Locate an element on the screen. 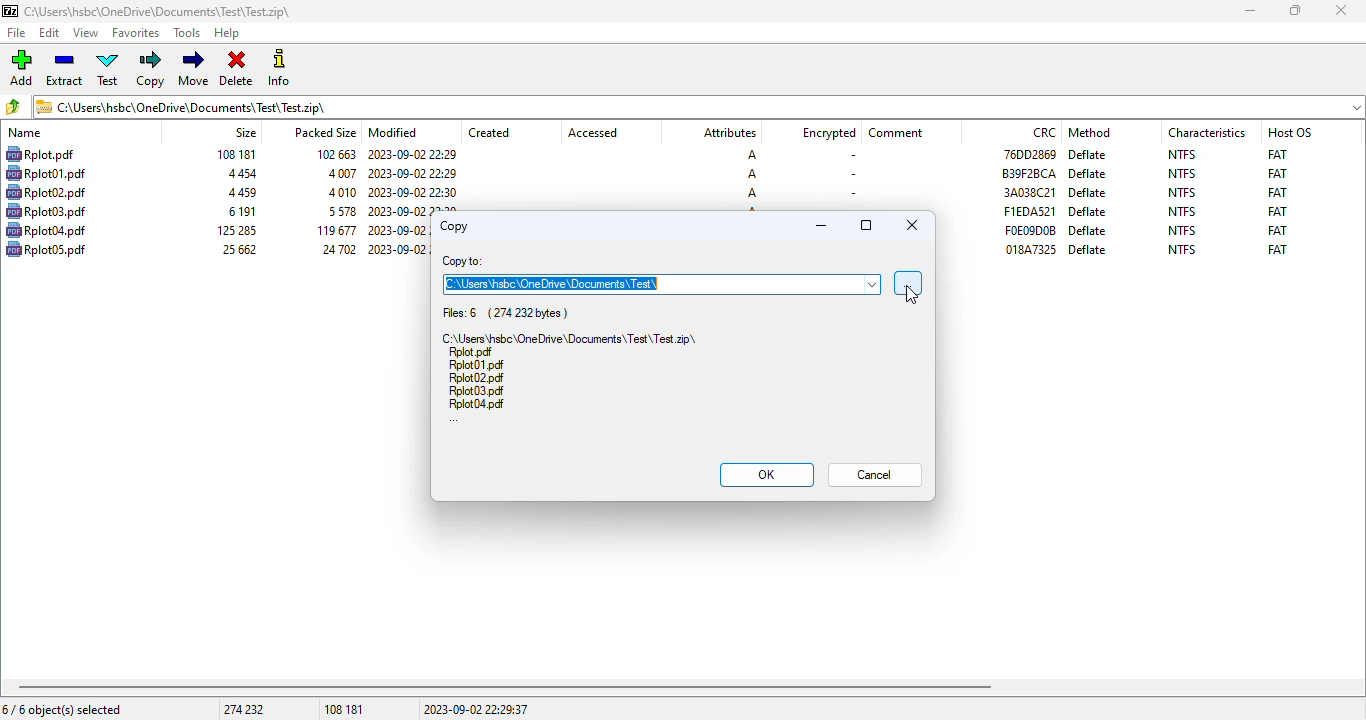 This screenshot has width=1366, height=720. size is located at coordinates (240, 211).